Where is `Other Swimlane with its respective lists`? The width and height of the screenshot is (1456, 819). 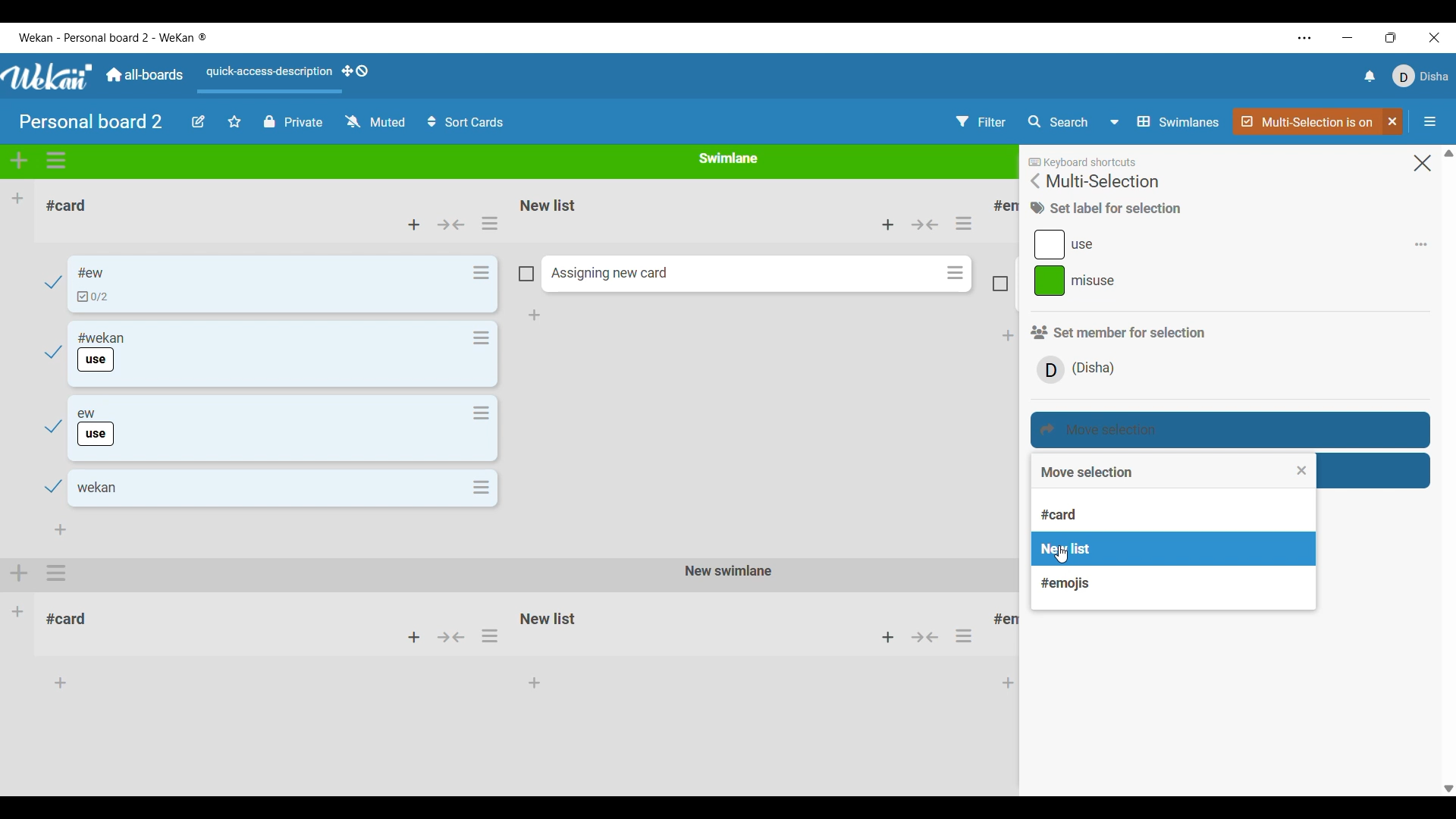
Other Swimlane with its respective lists is located at coordinates (506, 627).